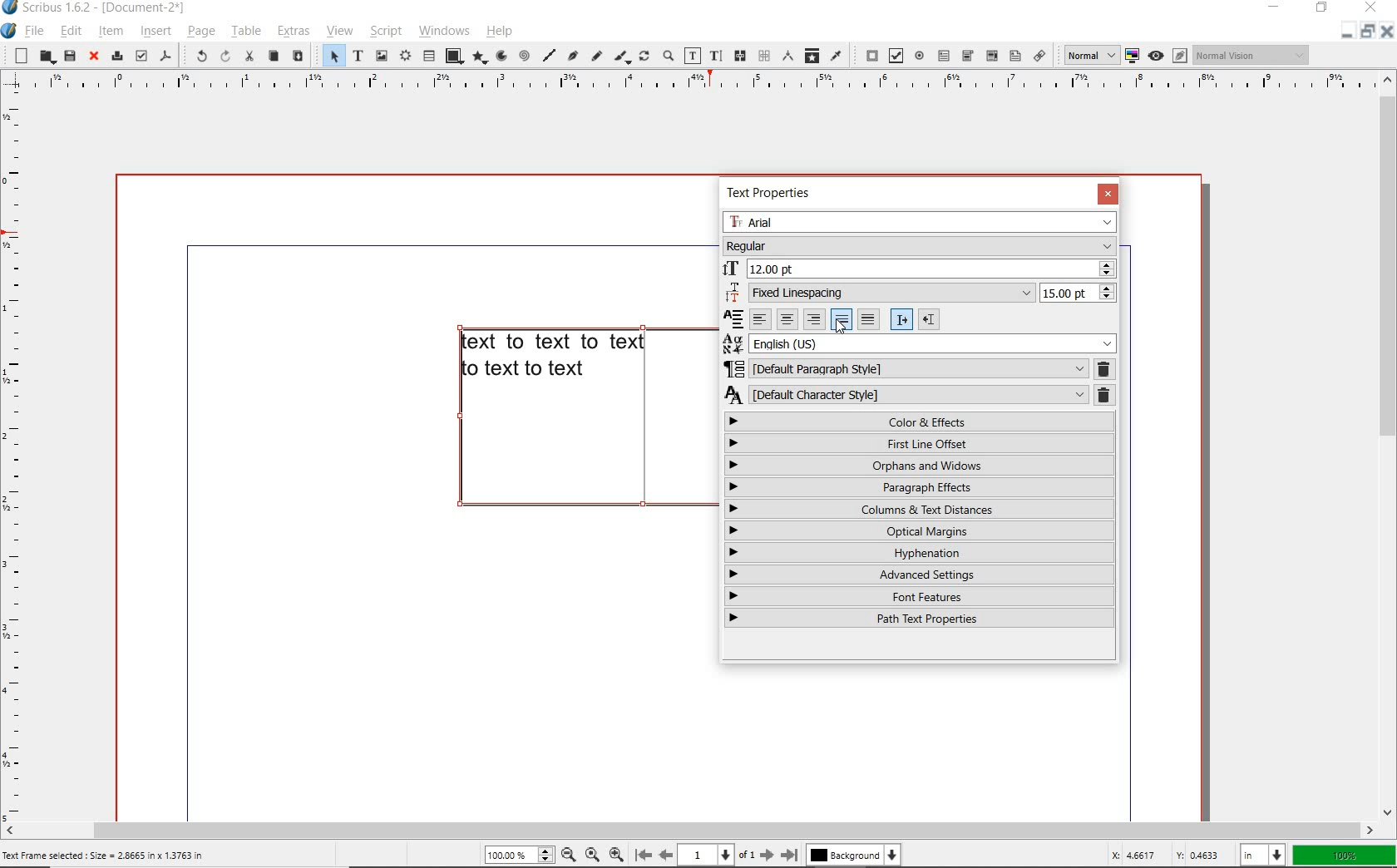  Describe the element at coordinates (921, 510) in the screenshot. I see `COLUMNS & TEXT DISTATNCES` at that location.